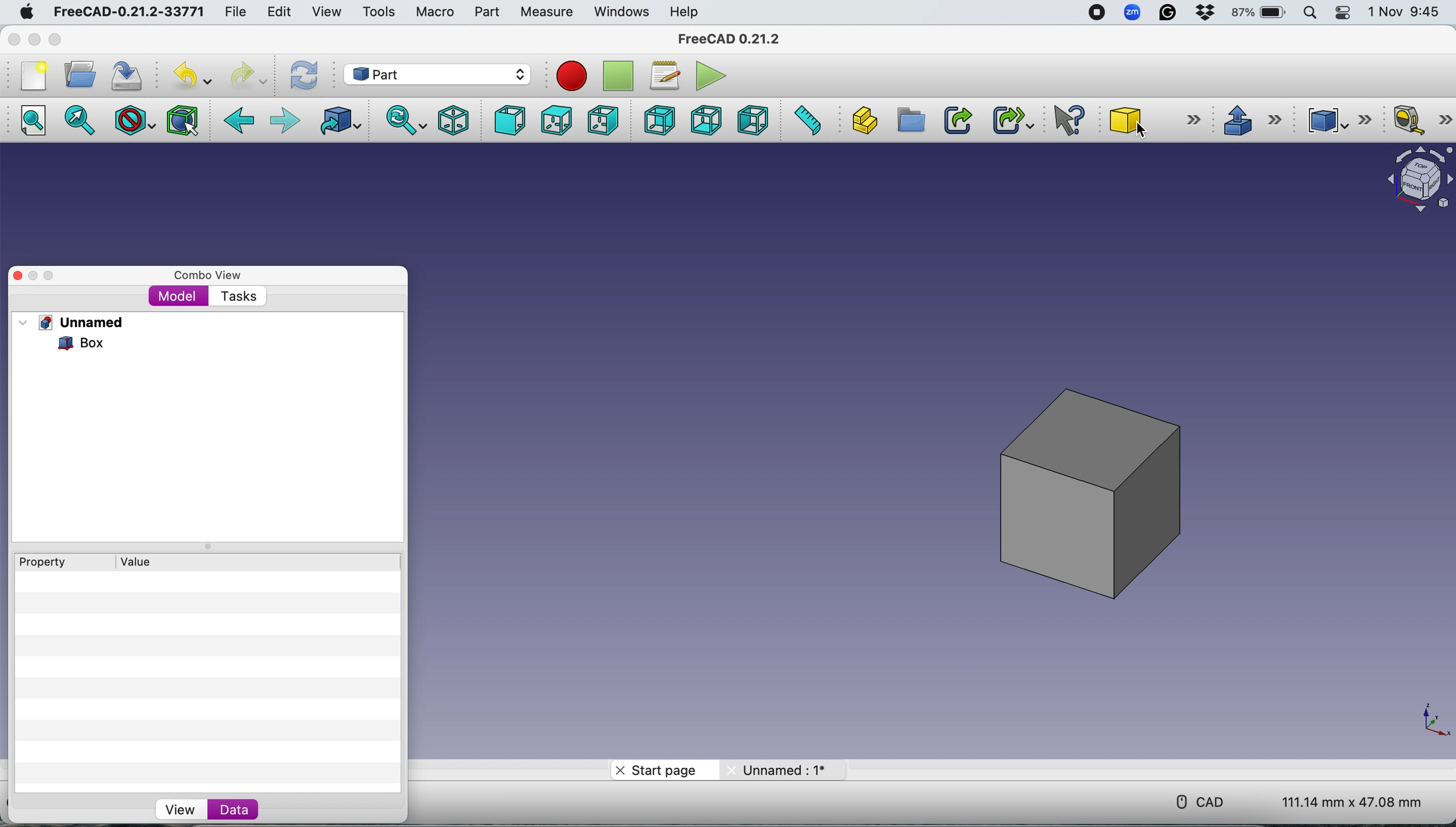 This screenshot has height=827, width=1456. Describe the element at coordinates (260, 811) in the screenshot. I see `Data` at that location.